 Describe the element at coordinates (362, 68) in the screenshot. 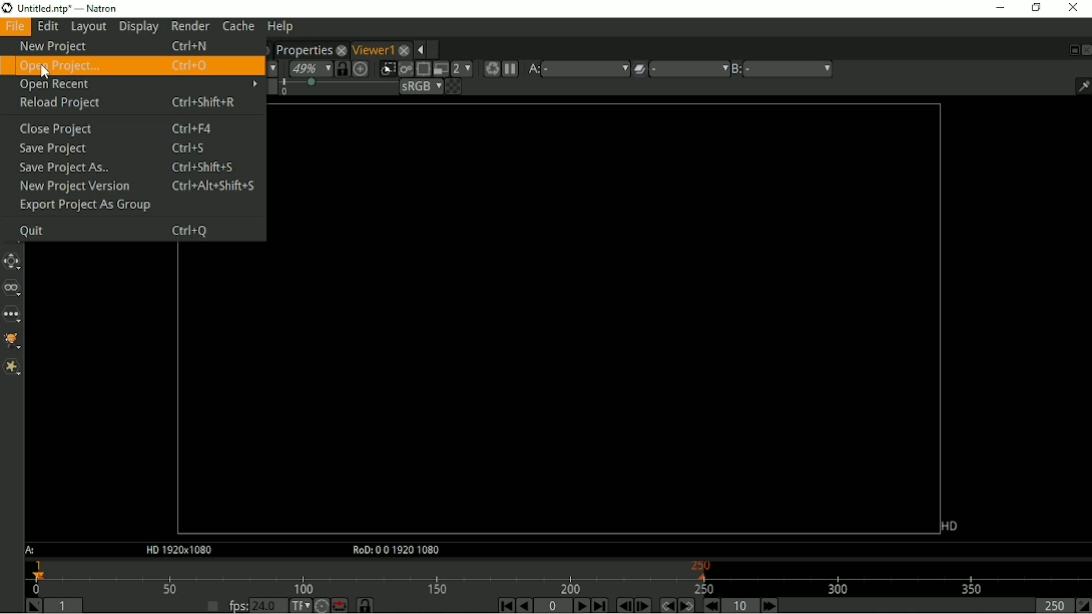

I see `Scale image` at that location.